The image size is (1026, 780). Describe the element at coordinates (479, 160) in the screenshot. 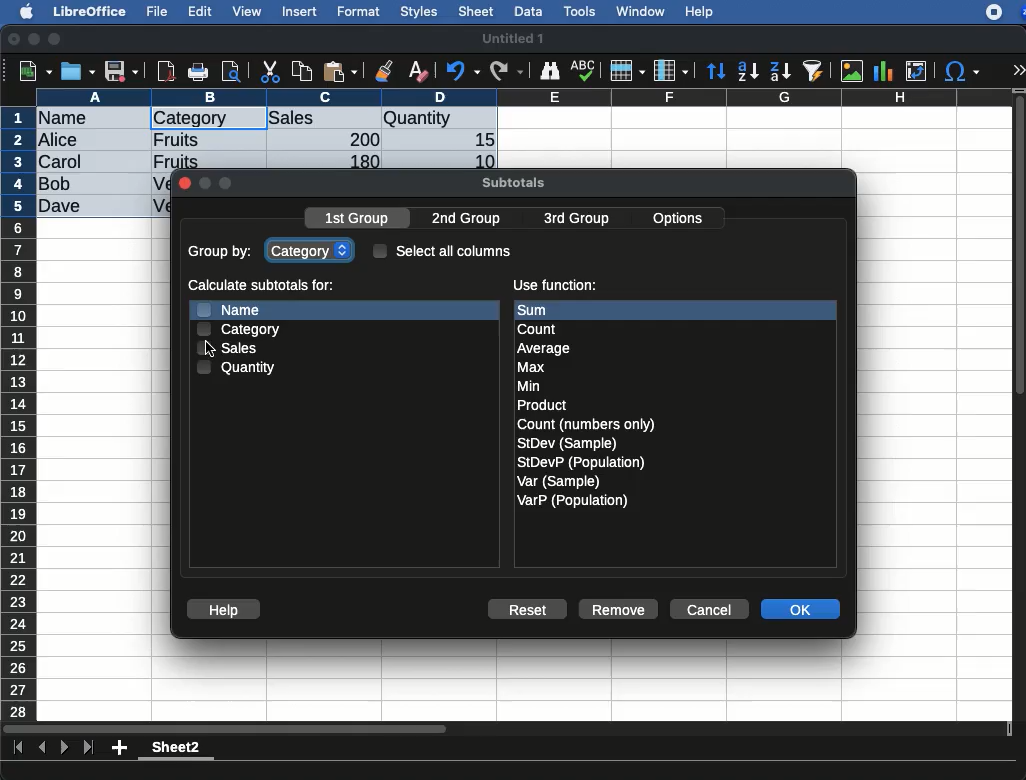

I see `10` at that location.